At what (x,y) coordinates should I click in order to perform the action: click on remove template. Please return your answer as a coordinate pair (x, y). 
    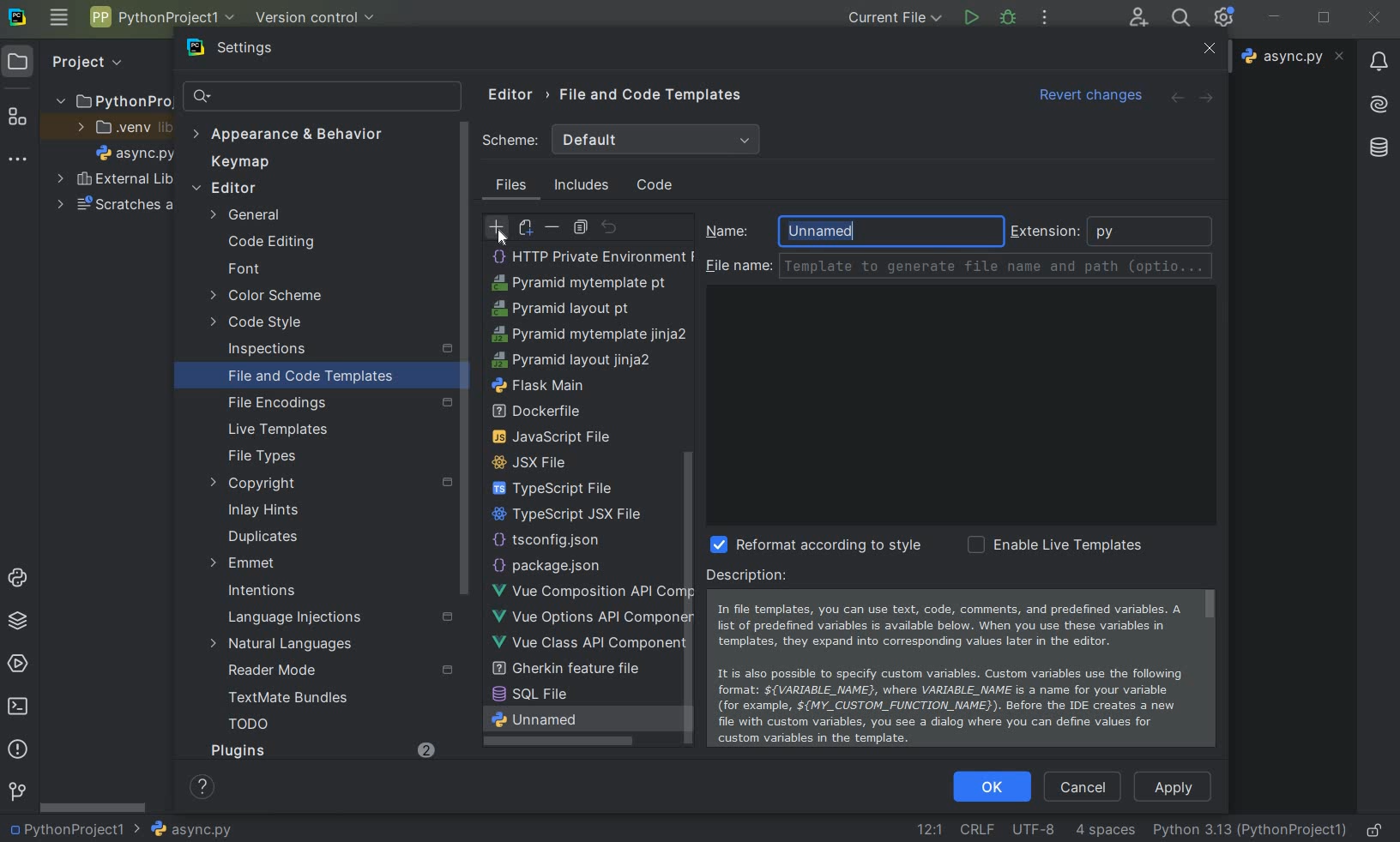
    Looking at the image, I should click on (553, 226).